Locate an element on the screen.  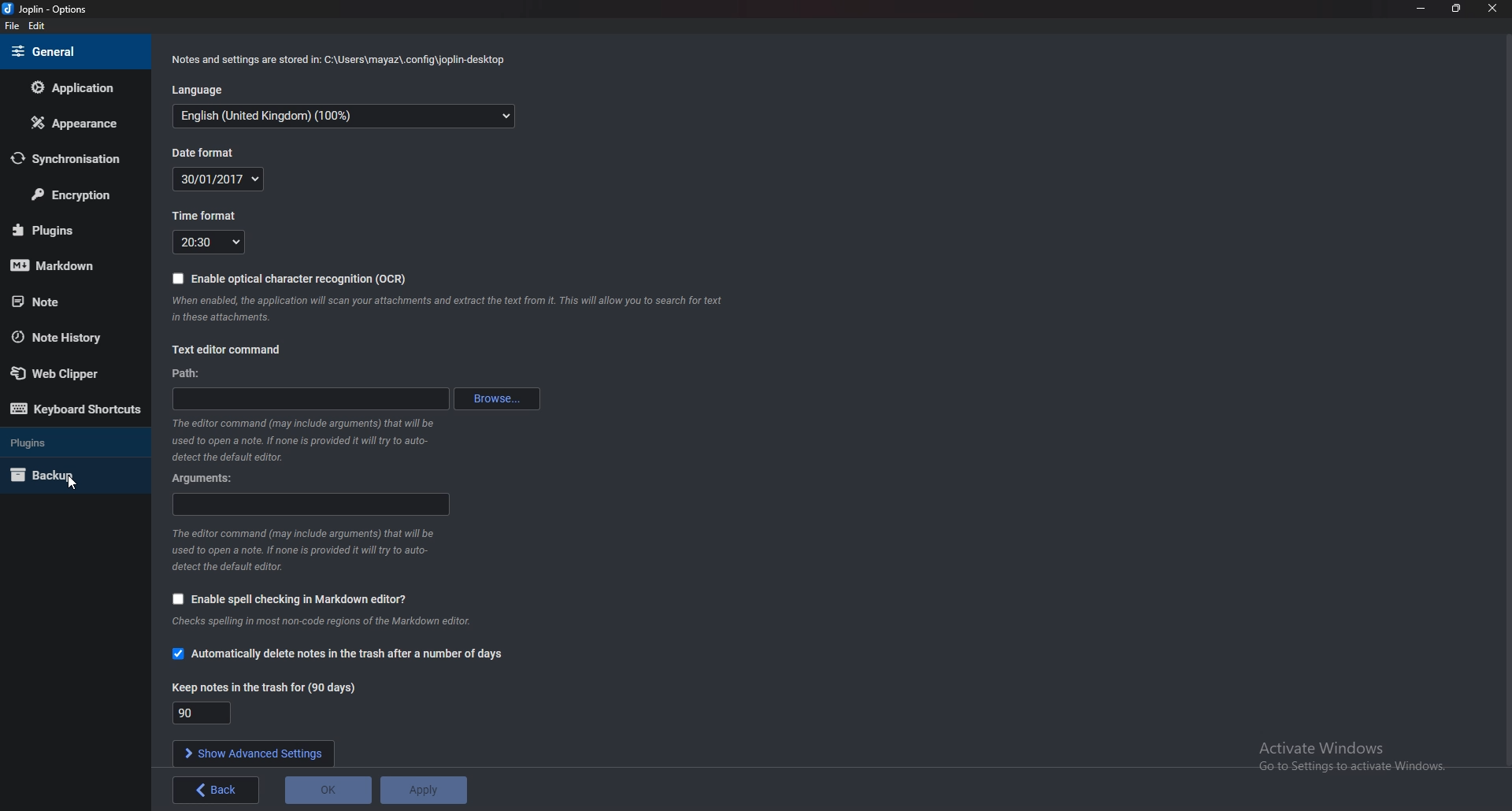
Info on notes and settings is located at coordinates (335, 59).